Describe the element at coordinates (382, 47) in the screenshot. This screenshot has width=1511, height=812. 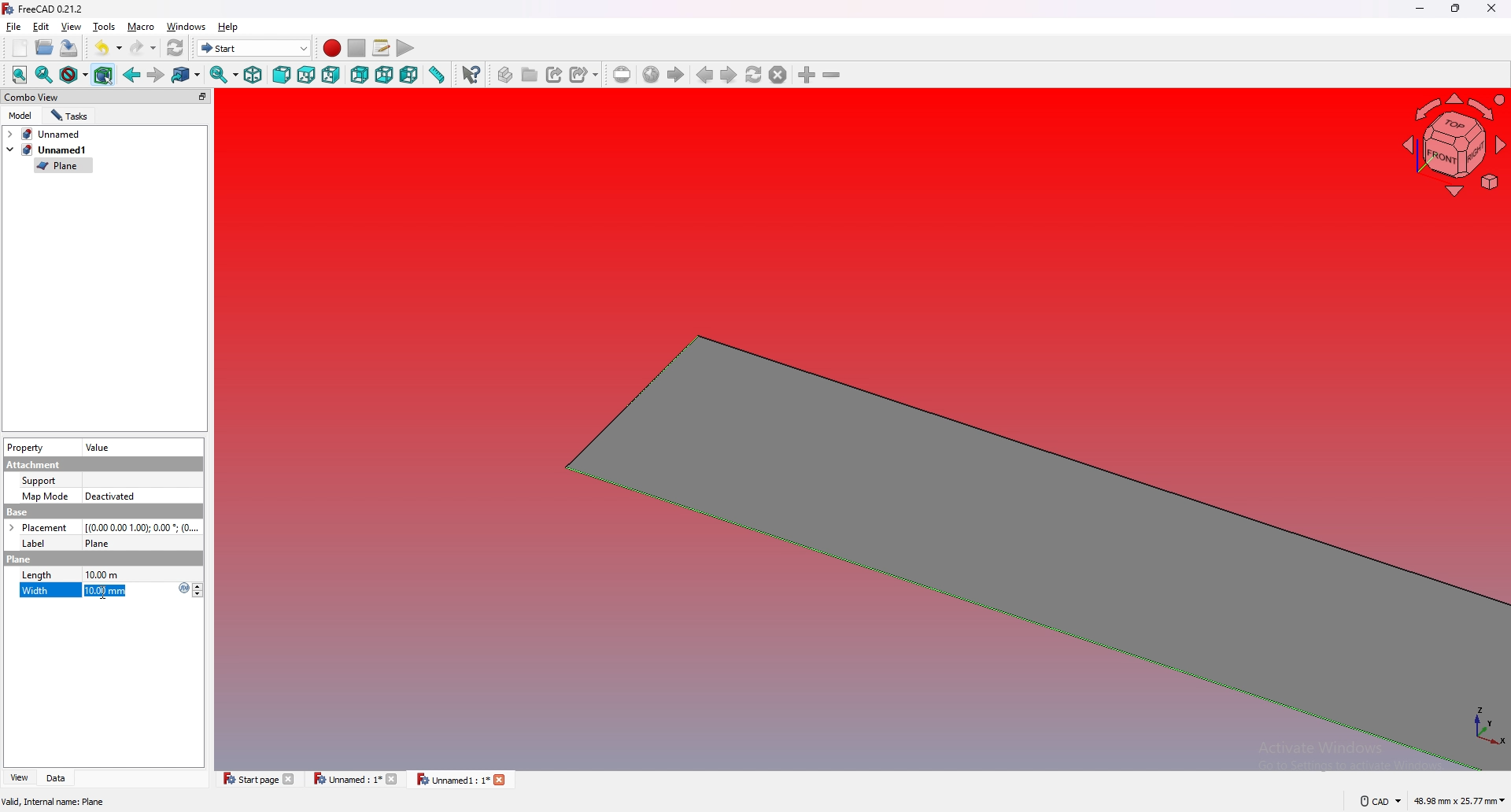
I see `macros` at that location.